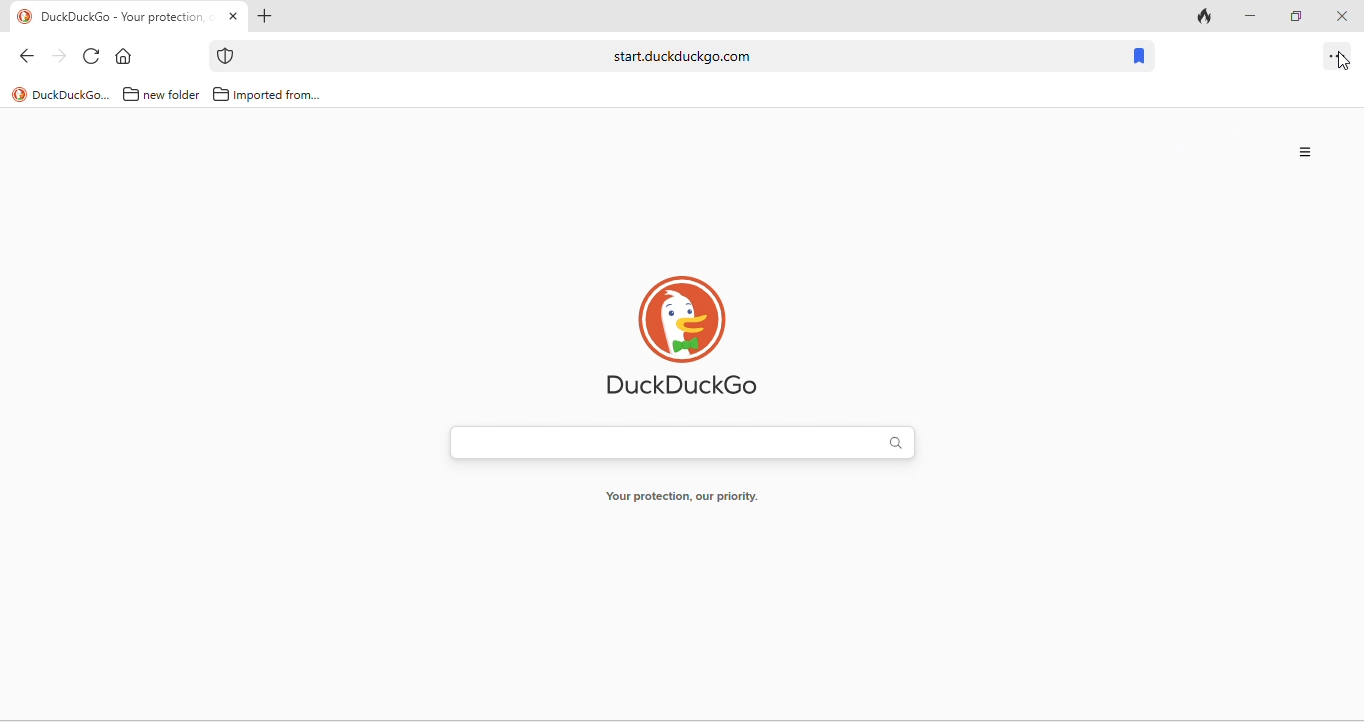 The width and height of the screenshot is (1364, 722). Describe the element at coordinates (680, 56) in the screenshot. I see `start.duckduckgo.com` at that location.